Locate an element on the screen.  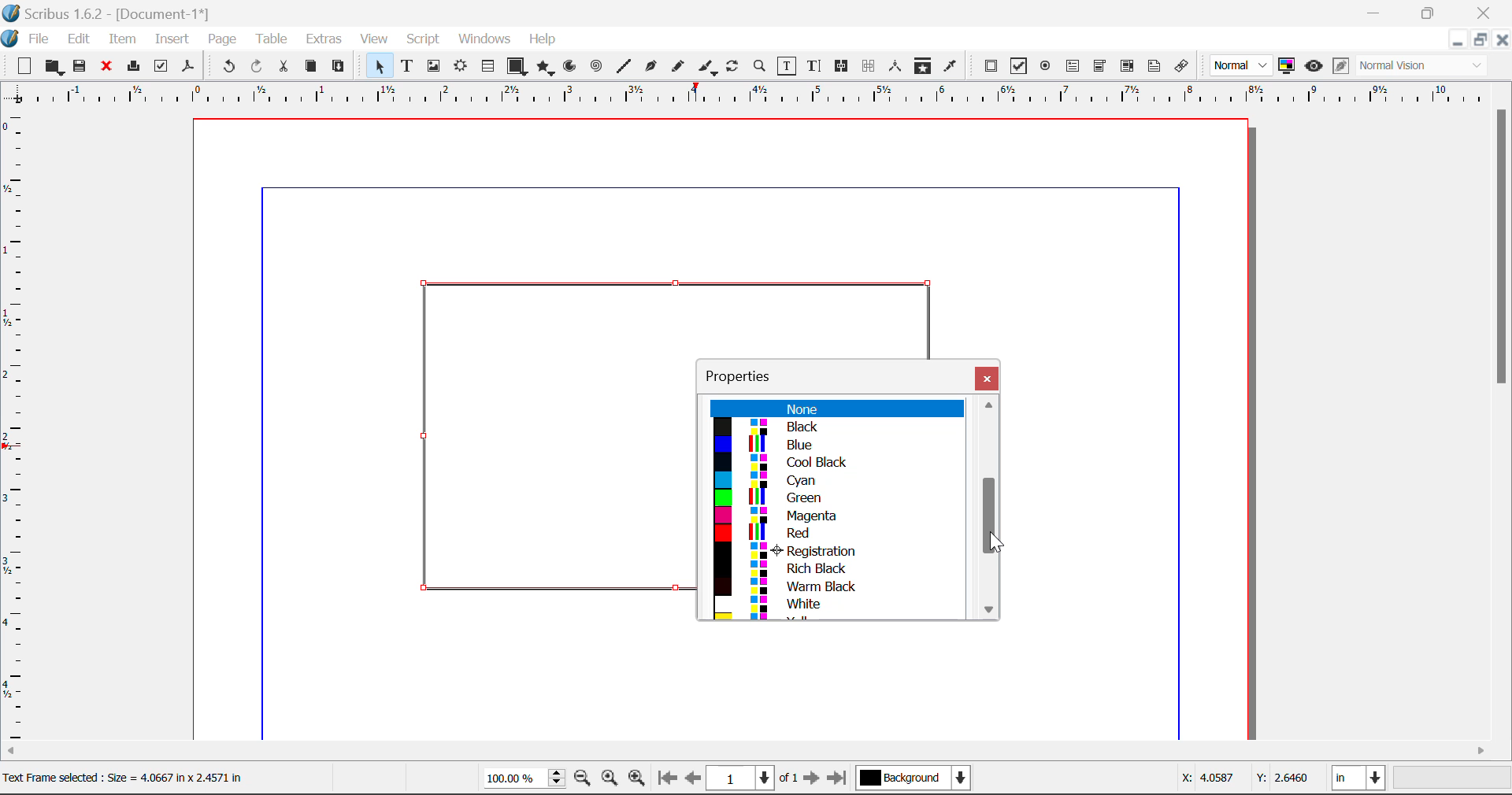
Cut is located at coordinates (285, 66).